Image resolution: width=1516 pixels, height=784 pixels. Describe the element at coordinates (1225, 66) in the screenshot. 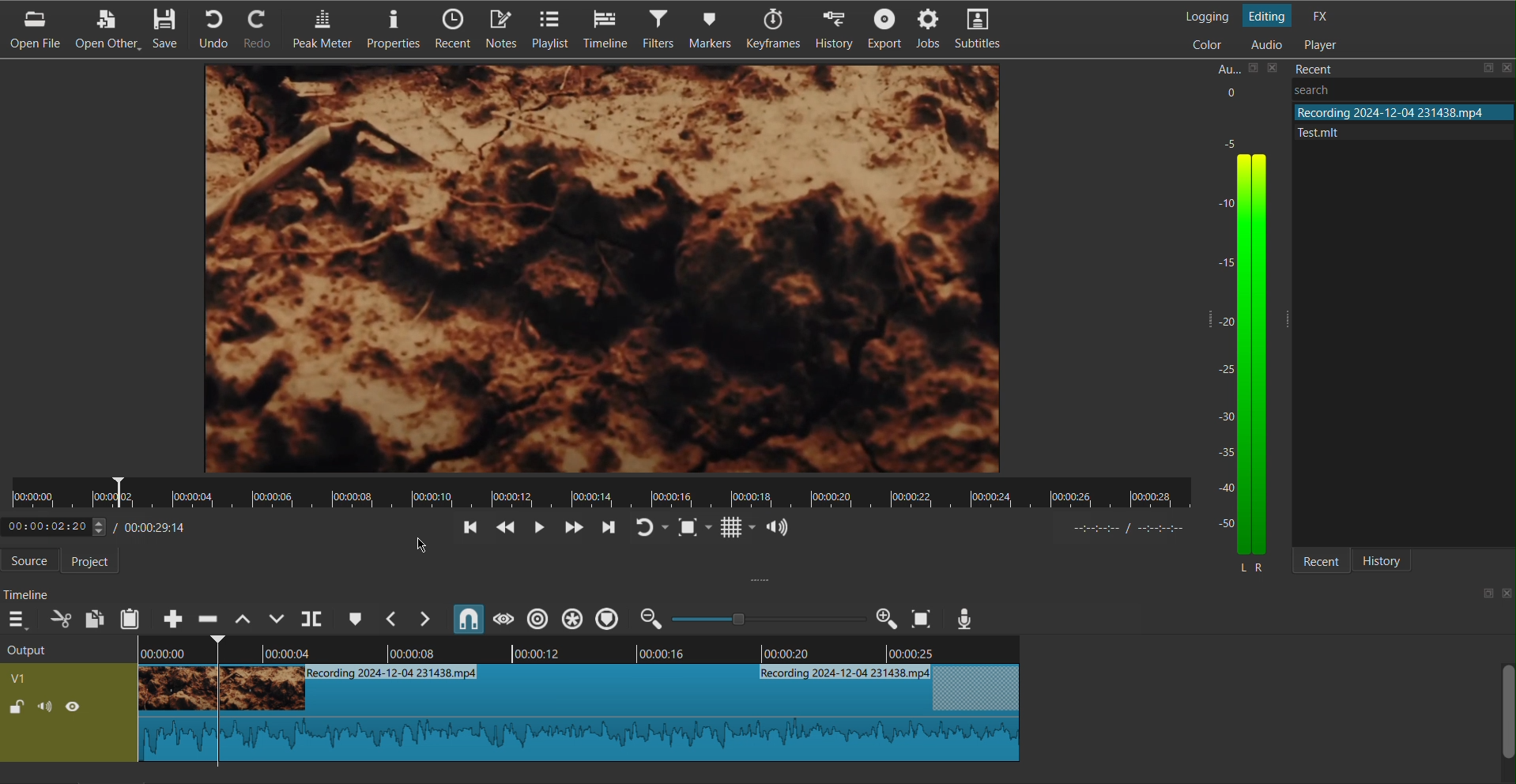

I see `Aux` at that location.